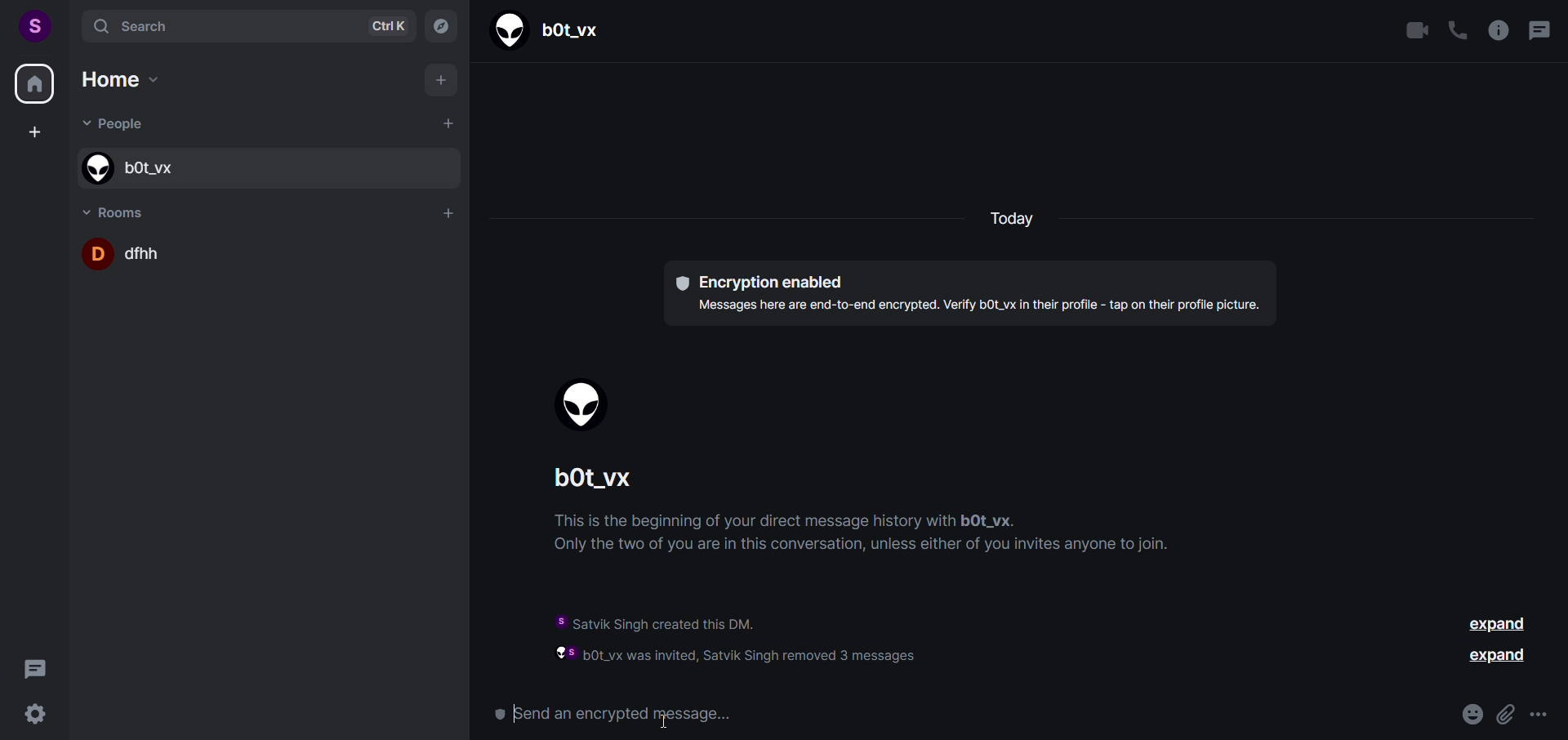  What do you see at coordinates (604, 480) in the screenshot?
I see `people name` at bounding box center [604, 480].